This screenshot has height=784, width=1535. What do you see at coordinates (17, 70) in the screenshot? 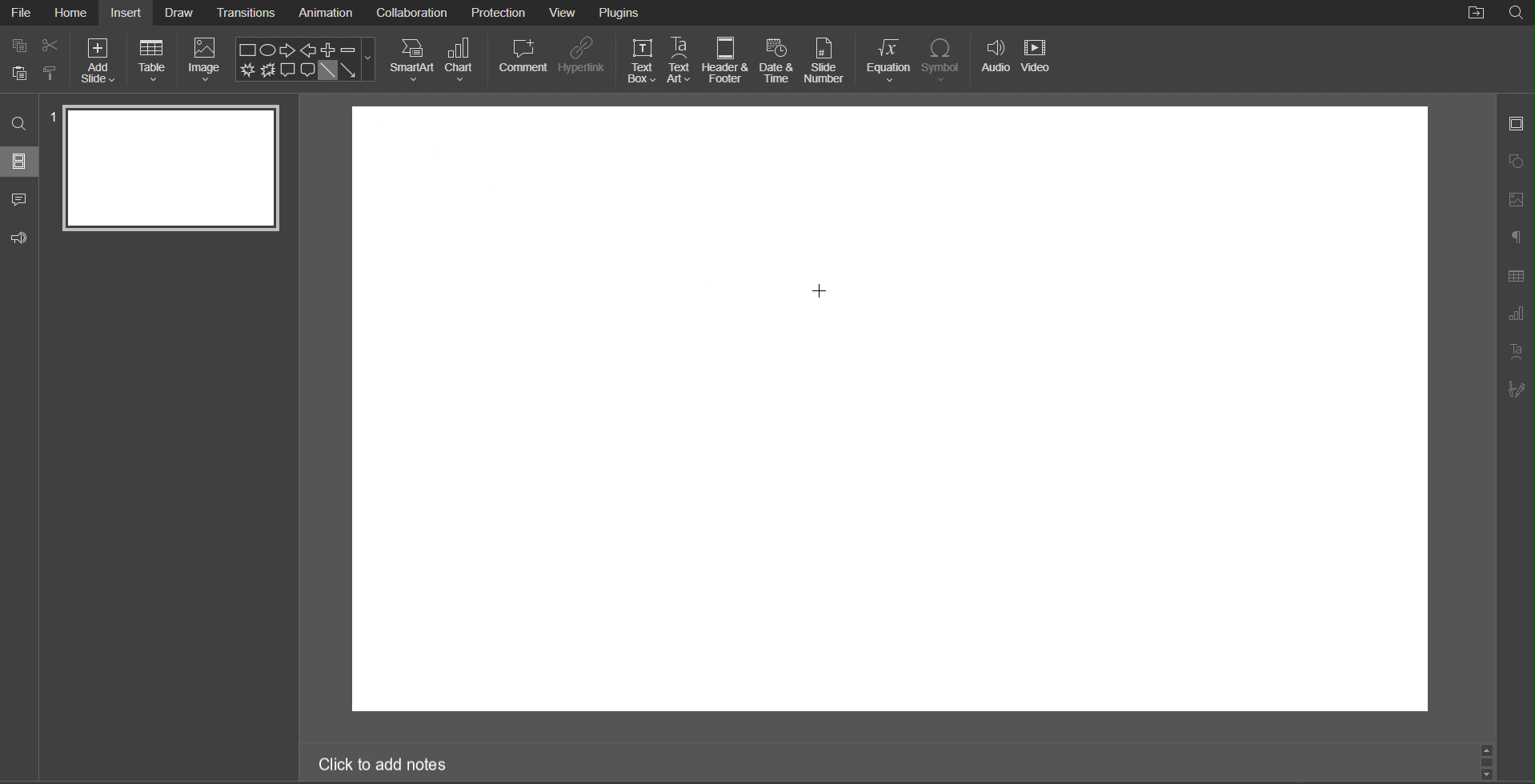
I see `Paste` at bounding box center [17, 70].